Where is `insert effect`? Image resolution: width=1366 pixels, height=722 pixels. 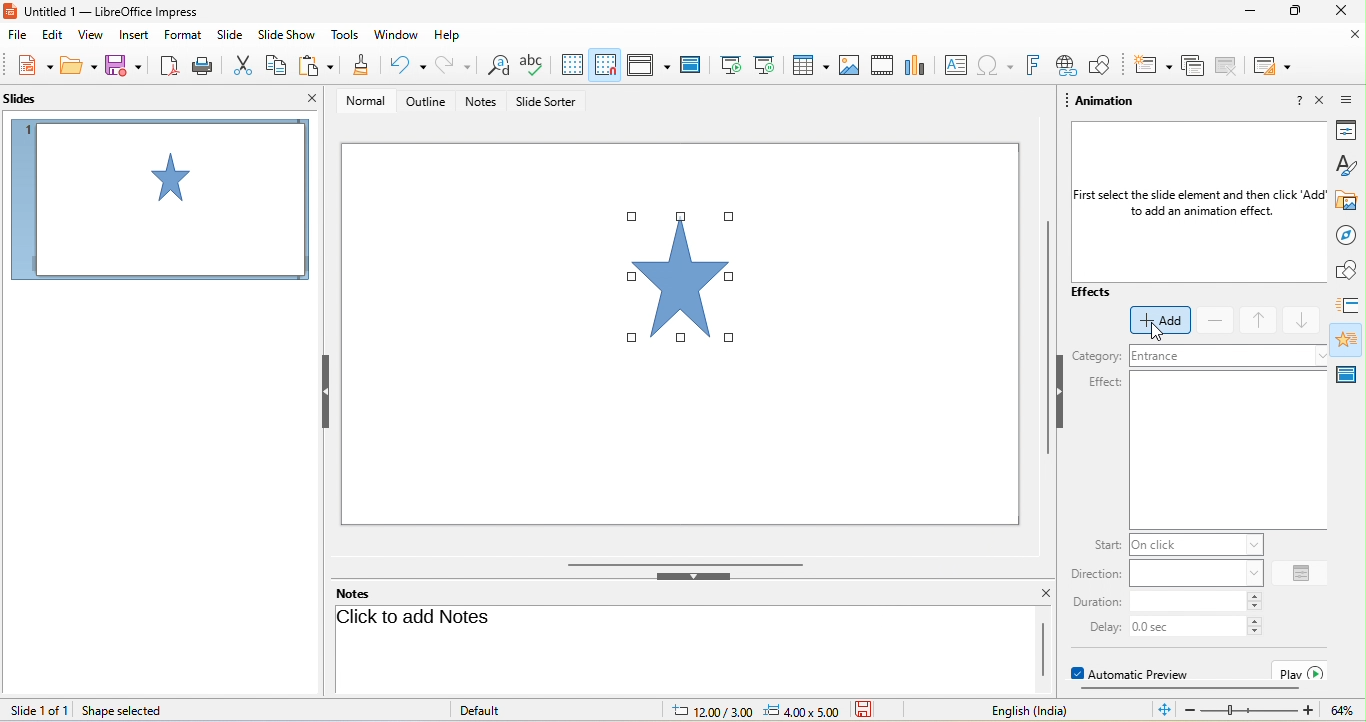 insert effect is located at coordinates (1231, 450).